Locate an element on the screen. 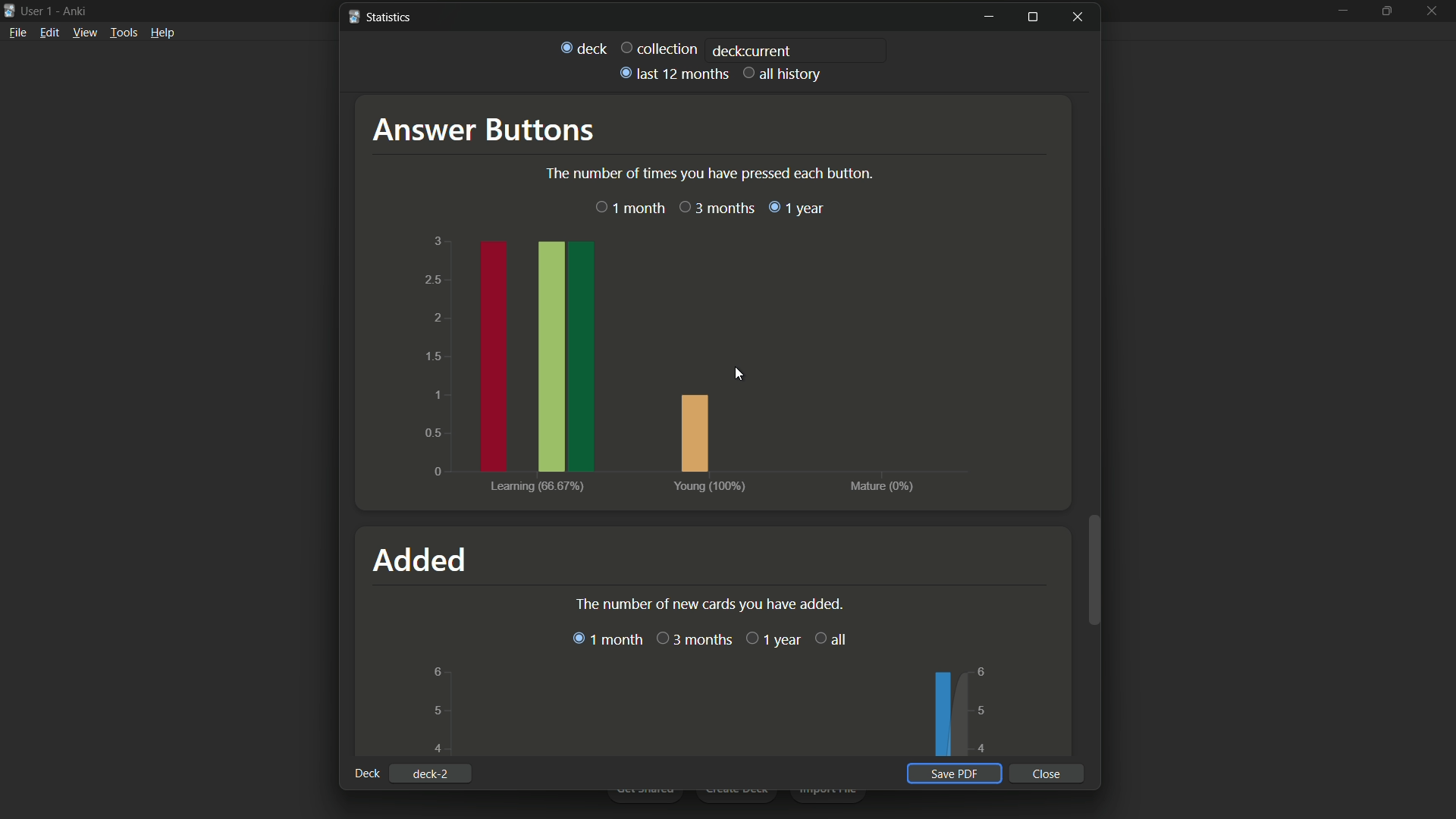  Close is located at coordinates (1049, 773).